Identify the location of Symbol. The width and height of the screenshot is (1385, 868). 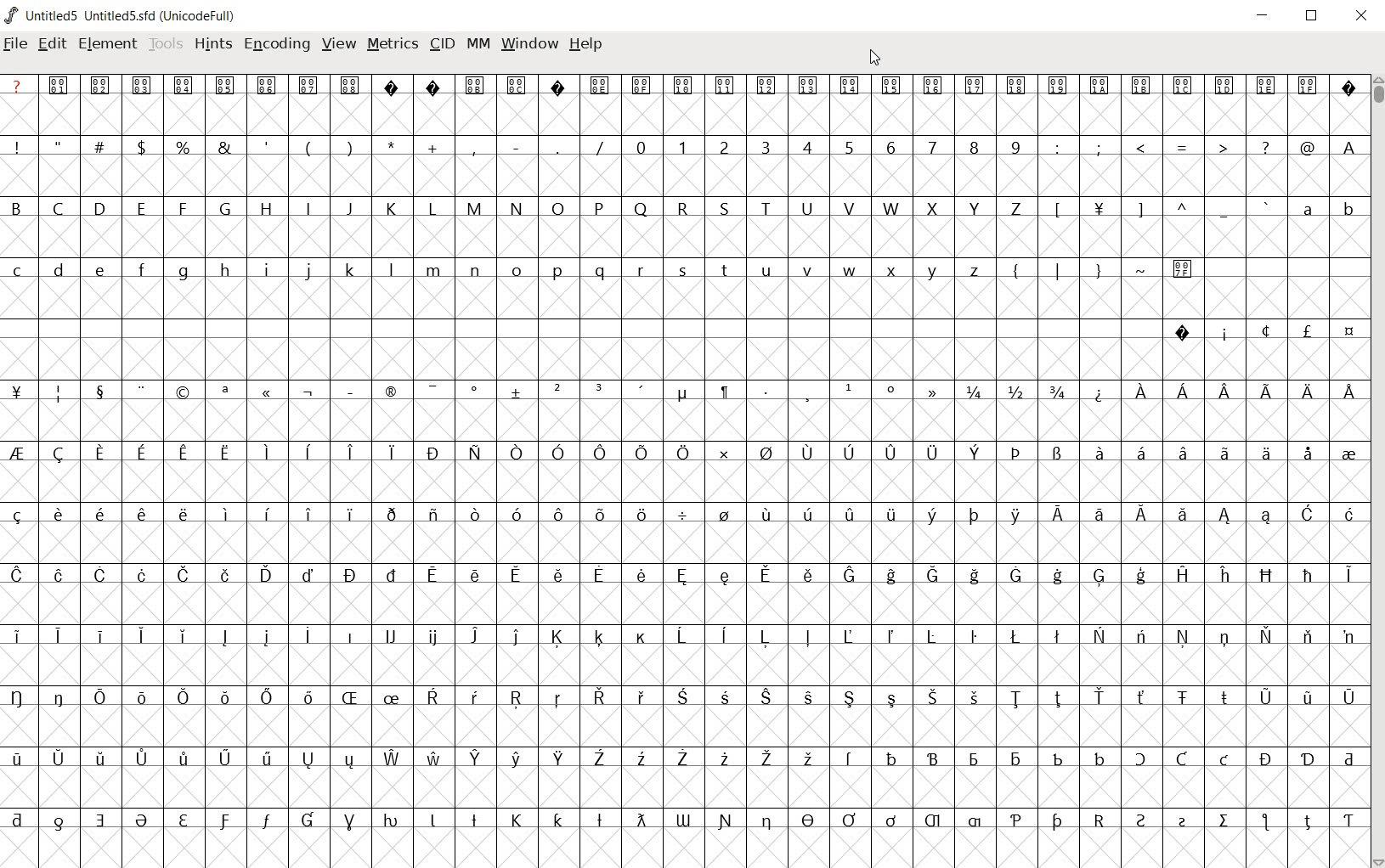
(308, 637).